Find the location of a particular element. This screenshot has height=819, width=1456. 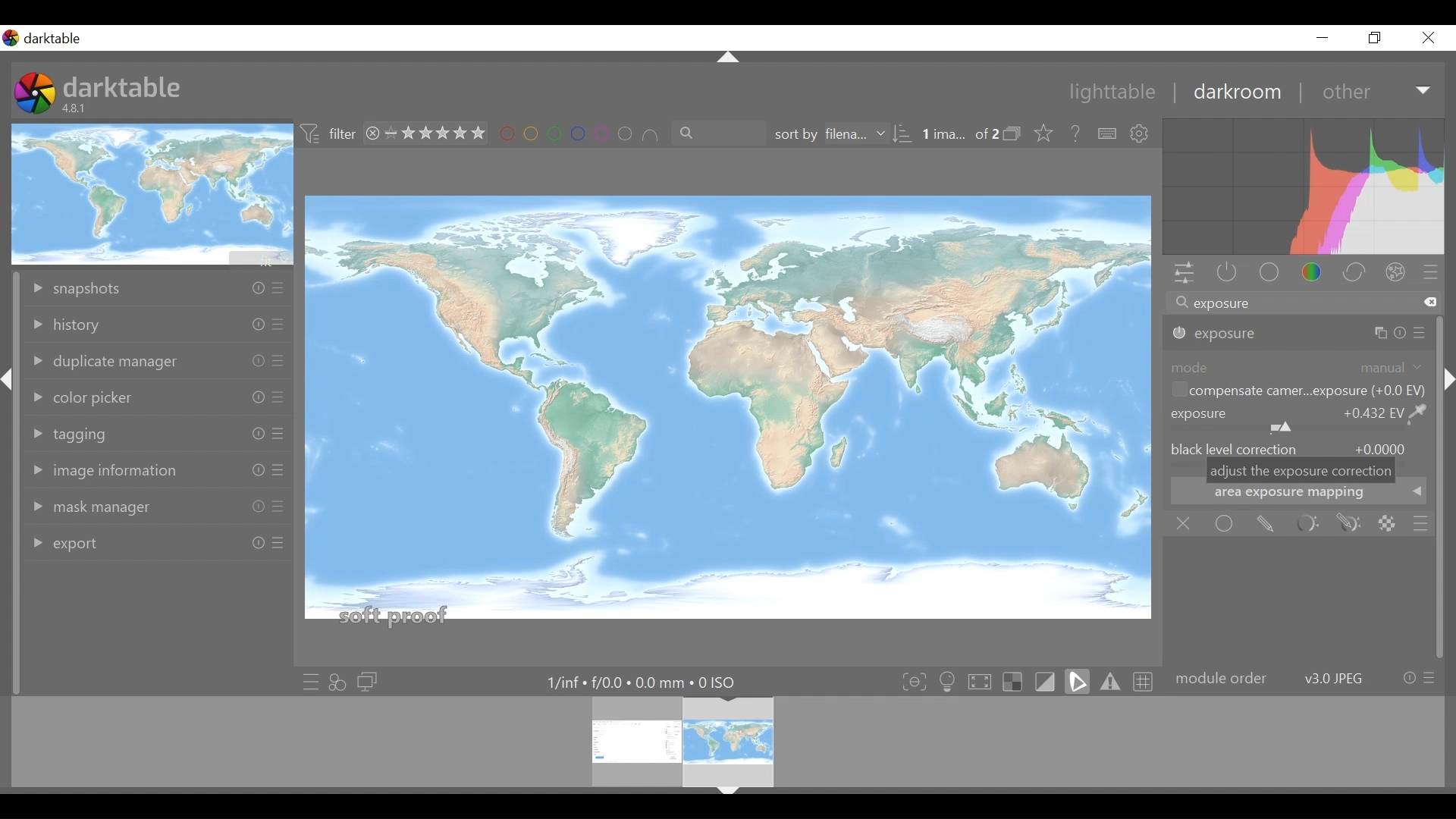

off is located at coordinates (1187, 524).